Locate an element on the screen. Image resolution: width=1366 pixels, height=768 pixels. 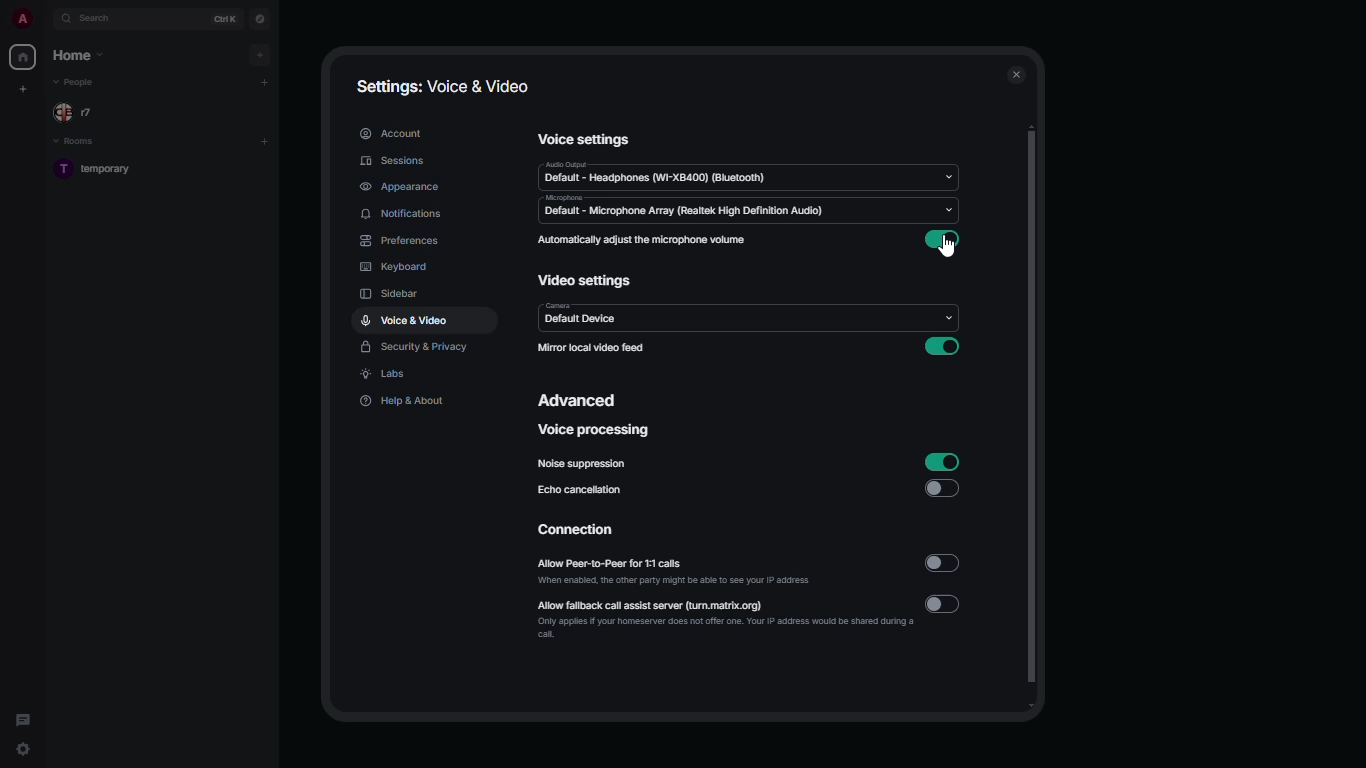
security & privacy is located at coordinates (416, 348).